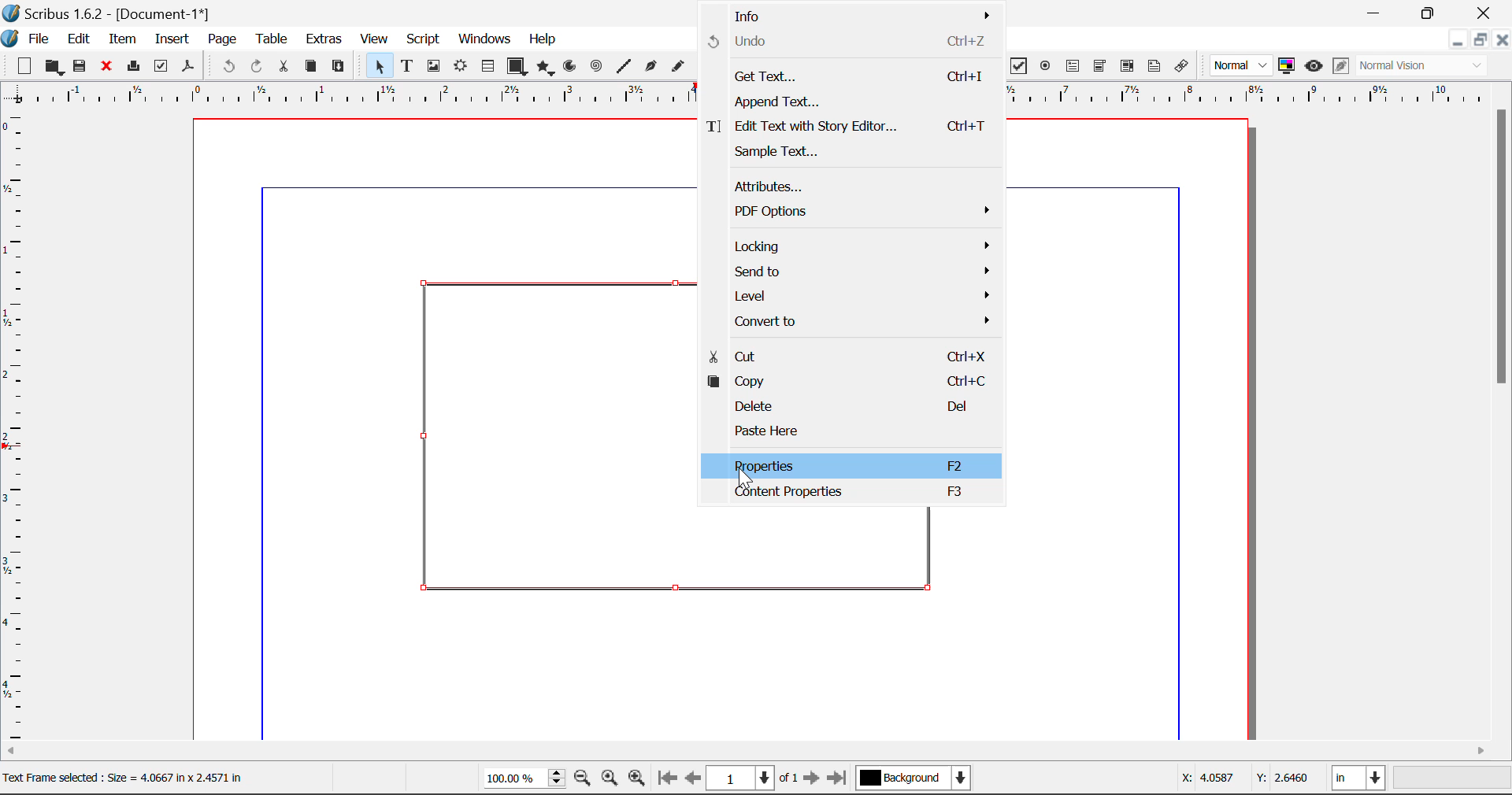  What do you see at coordinates (852, 465) in the screenshot?
I see `Properties` at bounding box center [852, 465].